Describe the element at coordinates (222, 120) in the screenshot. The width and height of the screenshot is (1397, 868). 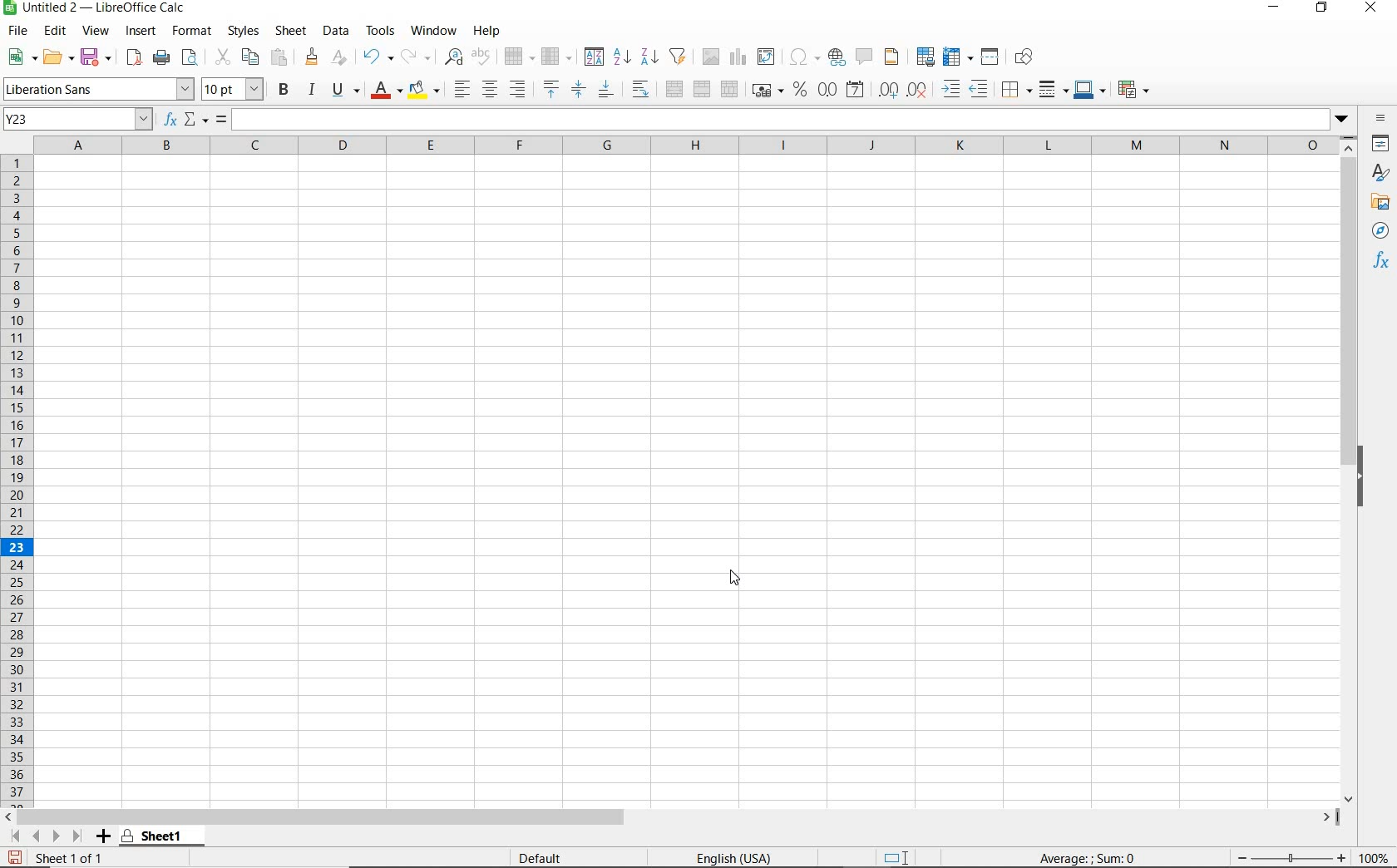
I see `FORMULA` at that location.